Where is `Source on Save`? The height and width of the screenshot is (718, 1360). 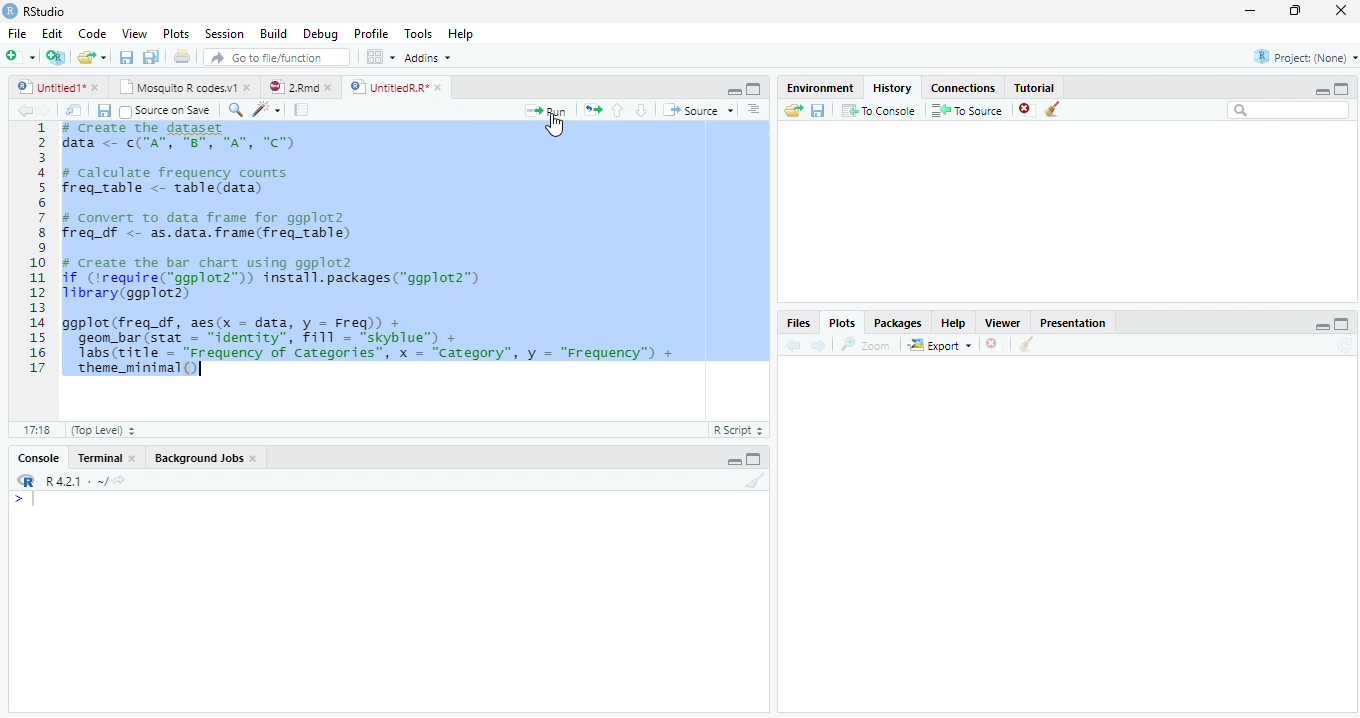 Source on Save is located at coordinates (167, 110).